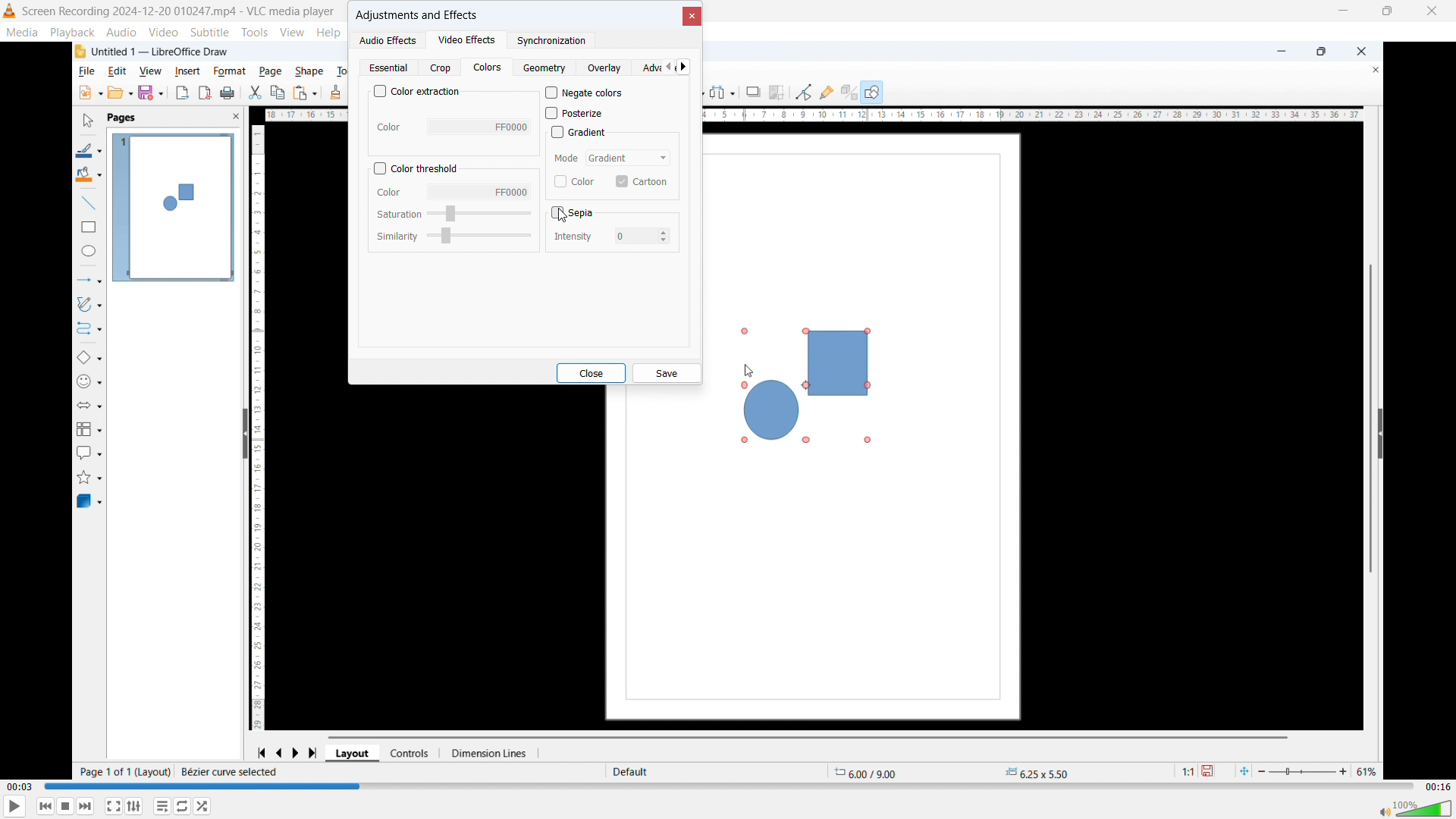  I want to click on Scroll left , so click(667, 67).